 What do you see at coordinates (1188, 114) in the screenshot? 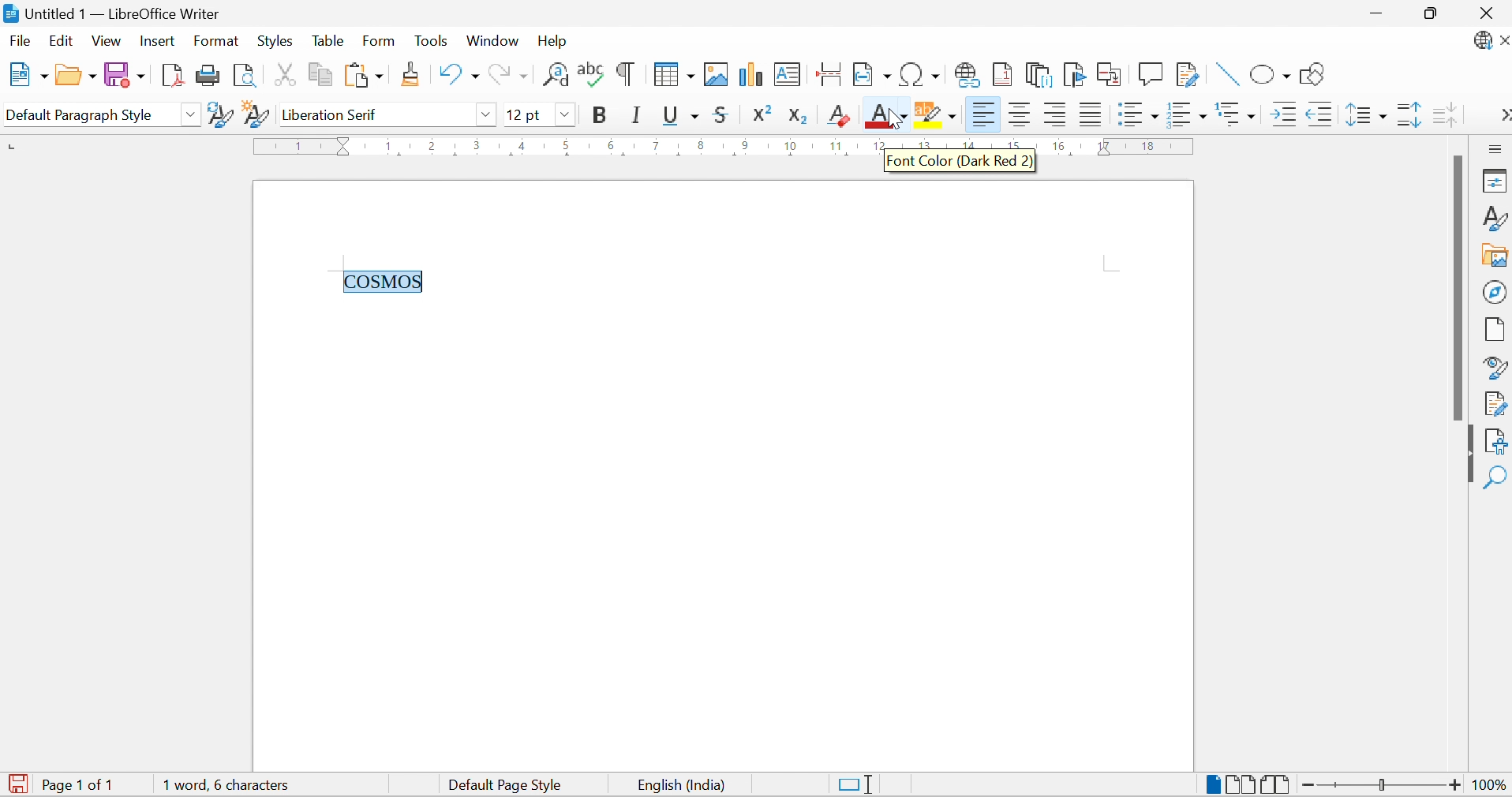
I see `Toggle Ordered List` at bounding box center [1188, 114].